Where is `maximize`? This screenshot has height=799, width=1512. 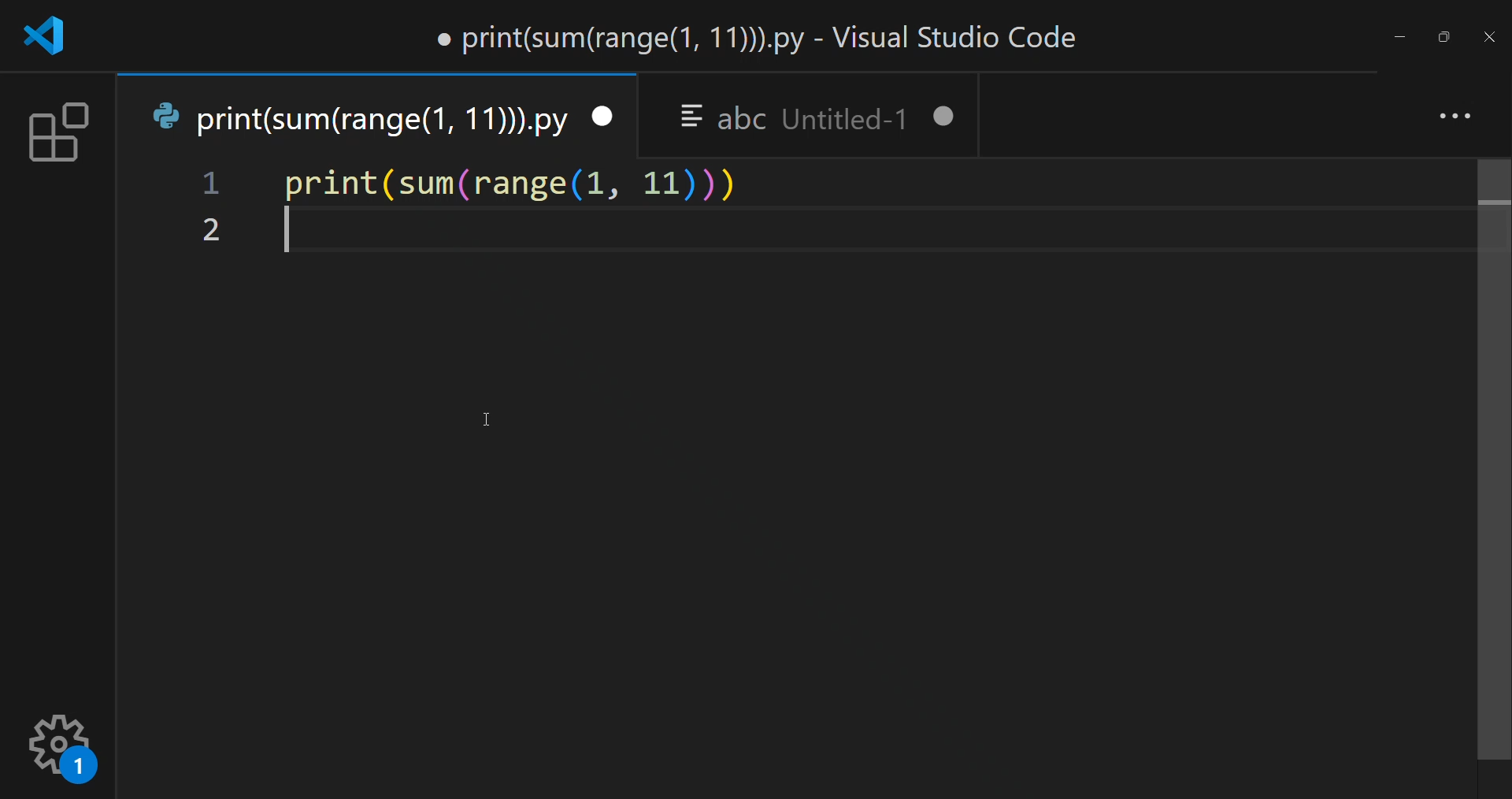
maximize is located at coordinates (1442, 36).